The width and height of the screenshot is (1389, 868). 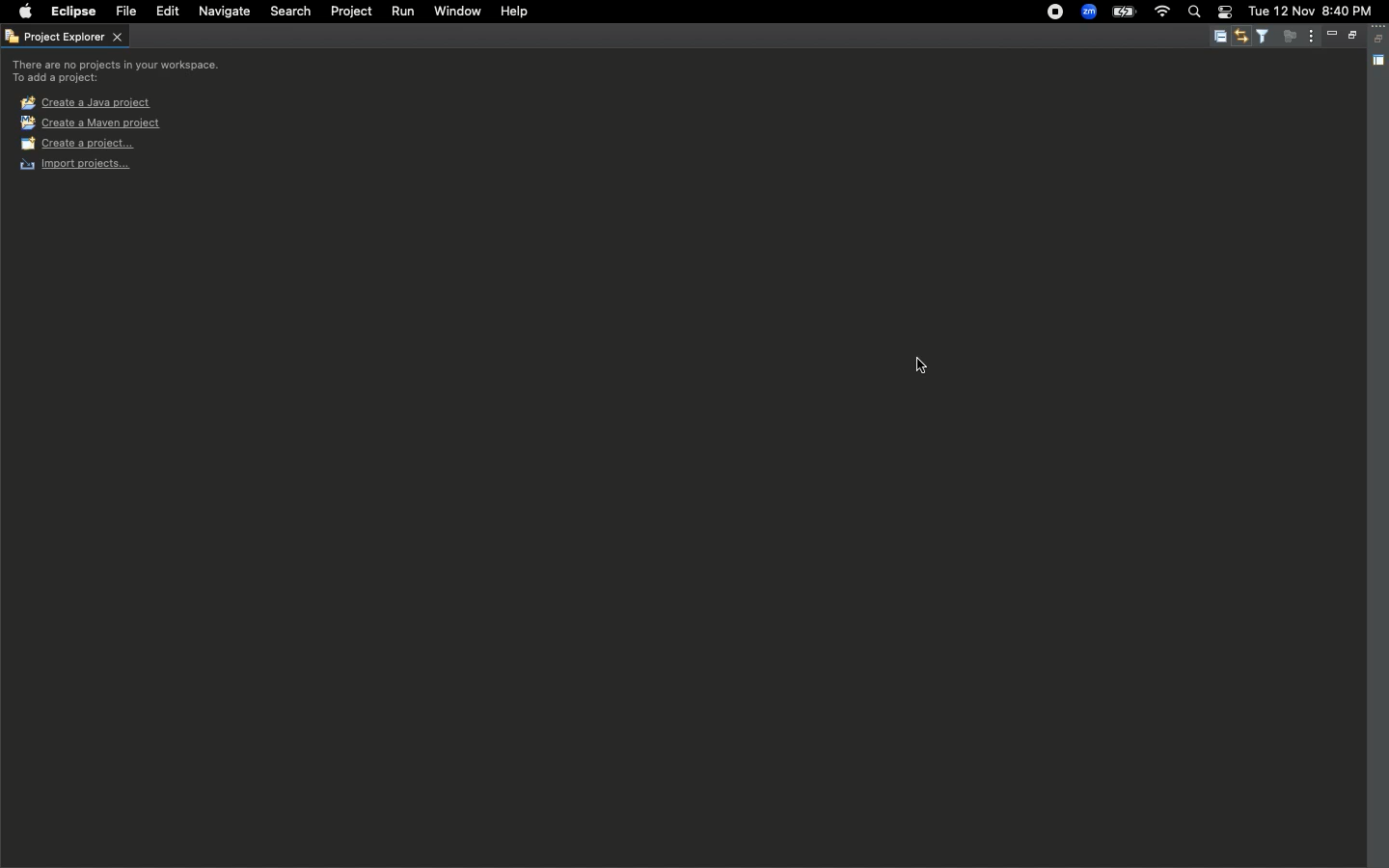 What do you see at coordinates (1225, 13) in the screenshot?
I see `Notification` at bounding box center [1225, 13].